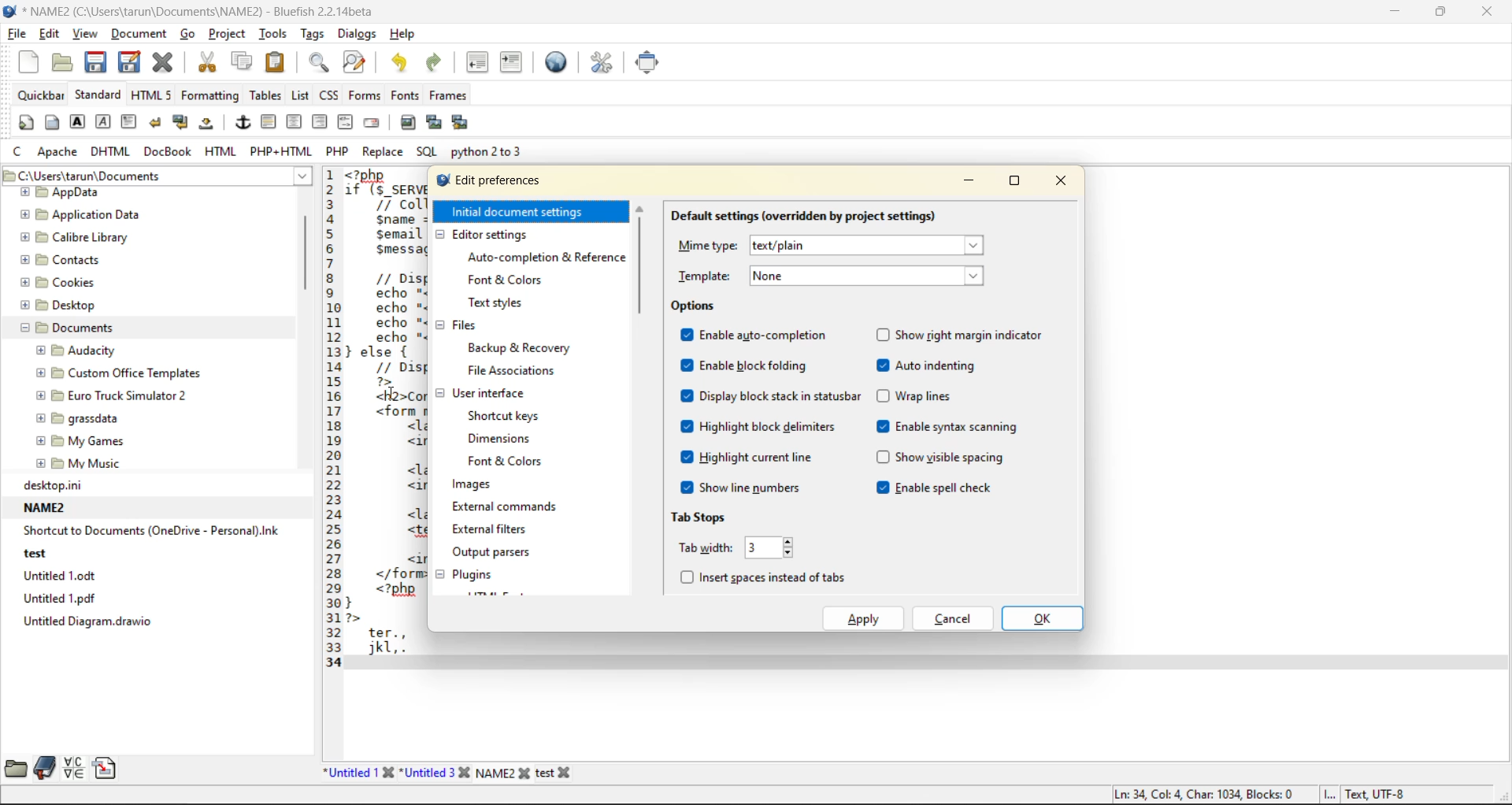  I want to click on font and colors, so click(509, 280).